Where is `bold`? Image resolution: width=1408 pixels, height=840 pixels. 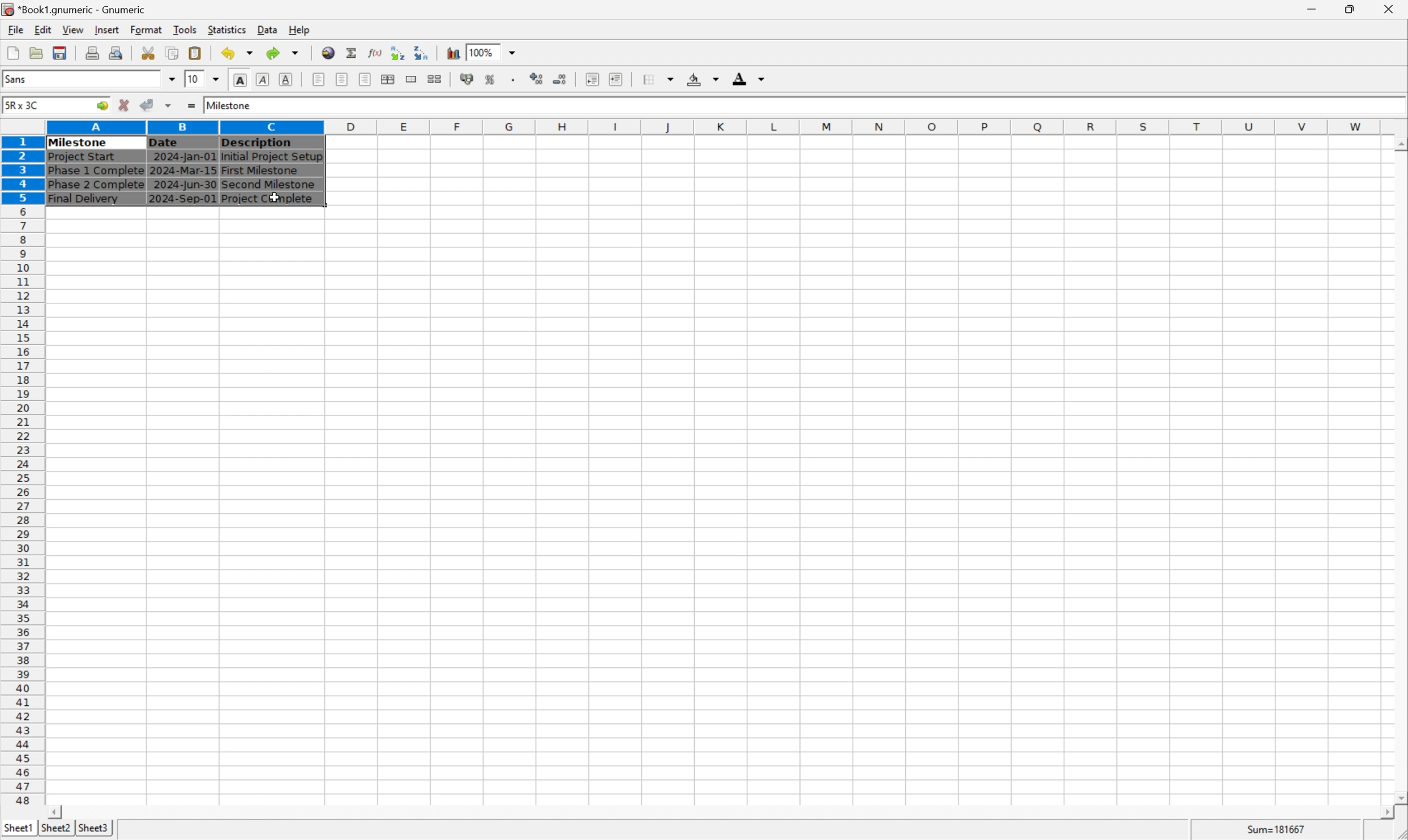 bold is located at coordinates (239, 80).